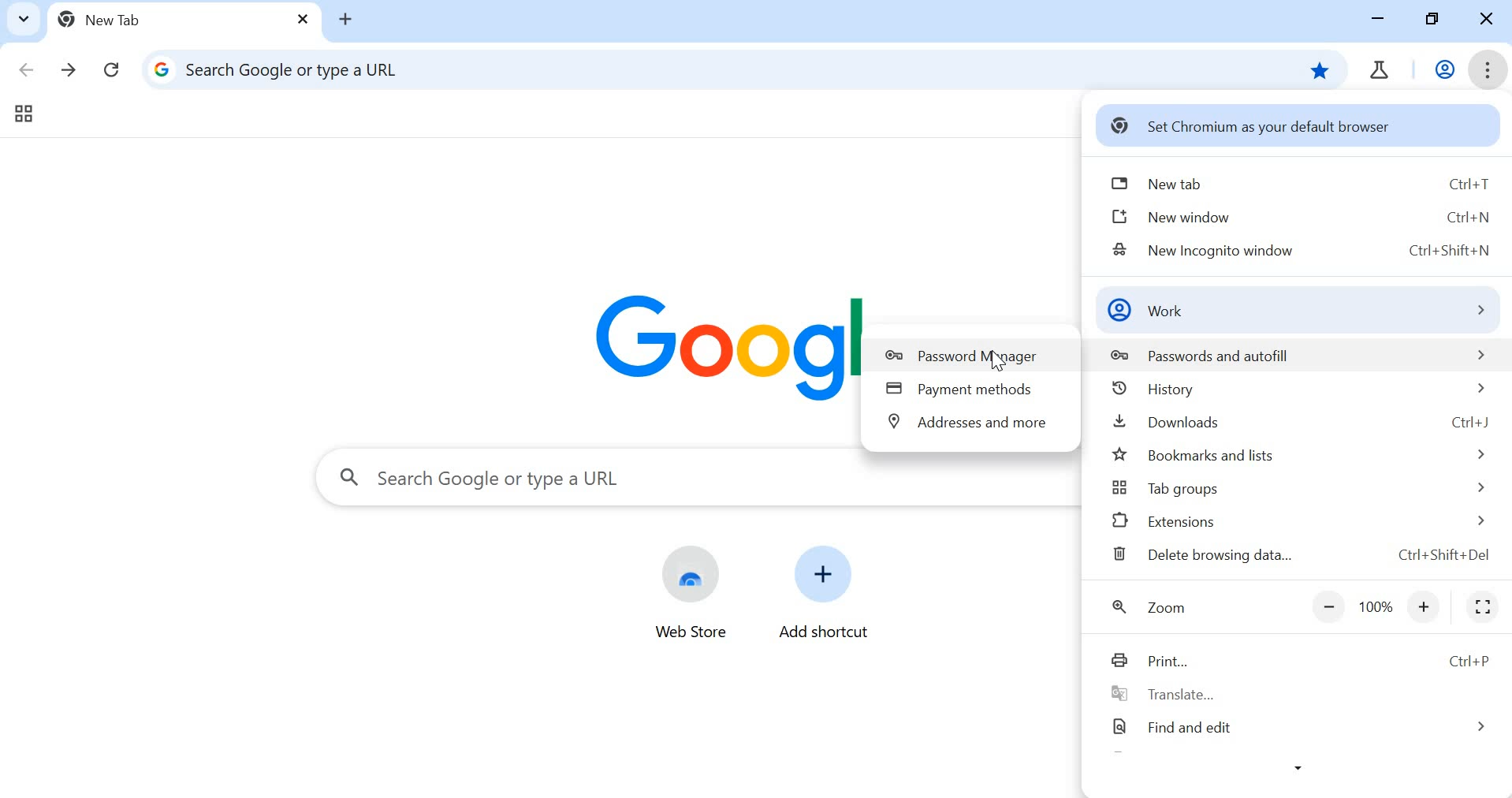  Describe the element at coordinates (824, 588) in the screenshot. I see `add shortcut` at that location.